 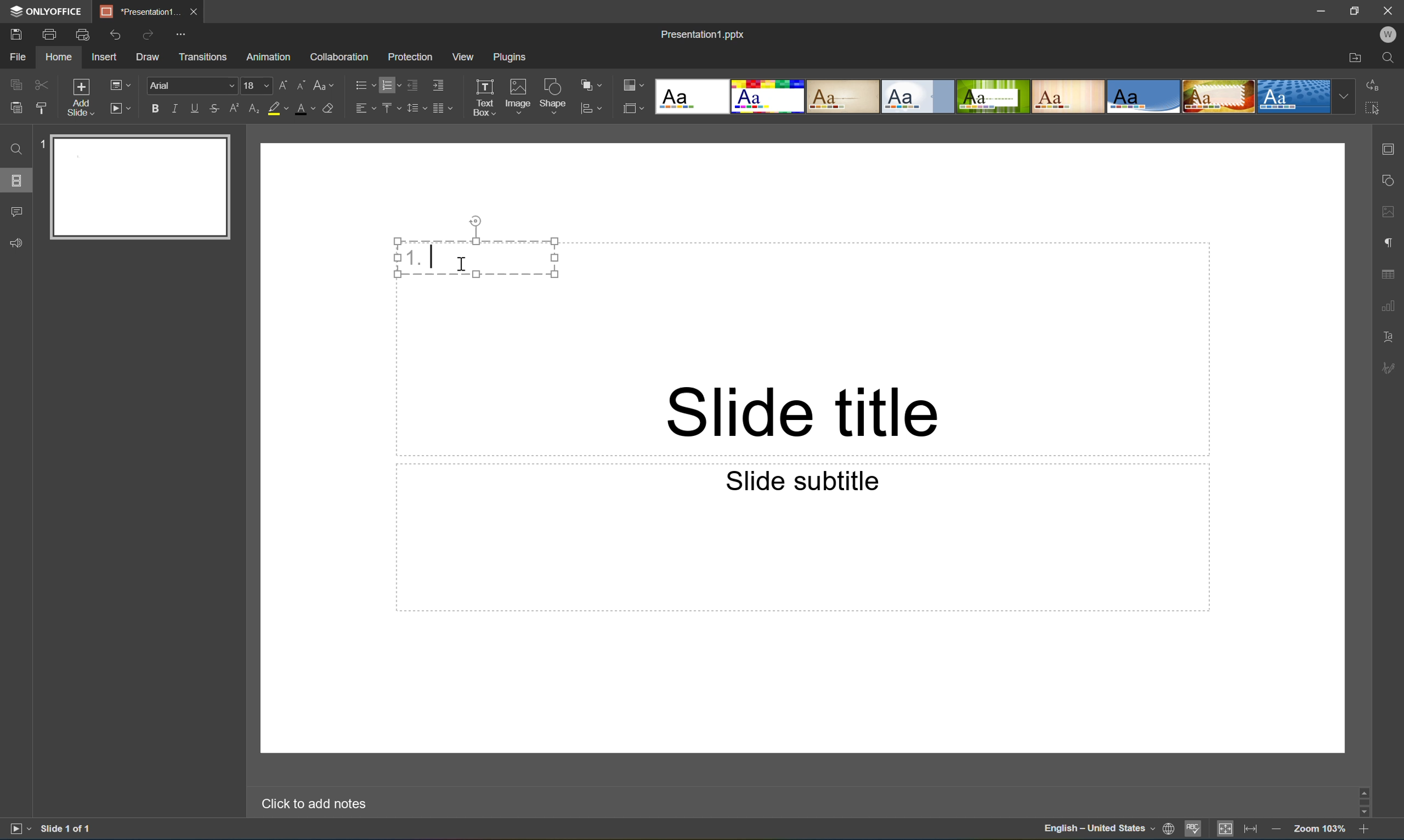 I want to click on Collaboration, so click(x=341, y=58).